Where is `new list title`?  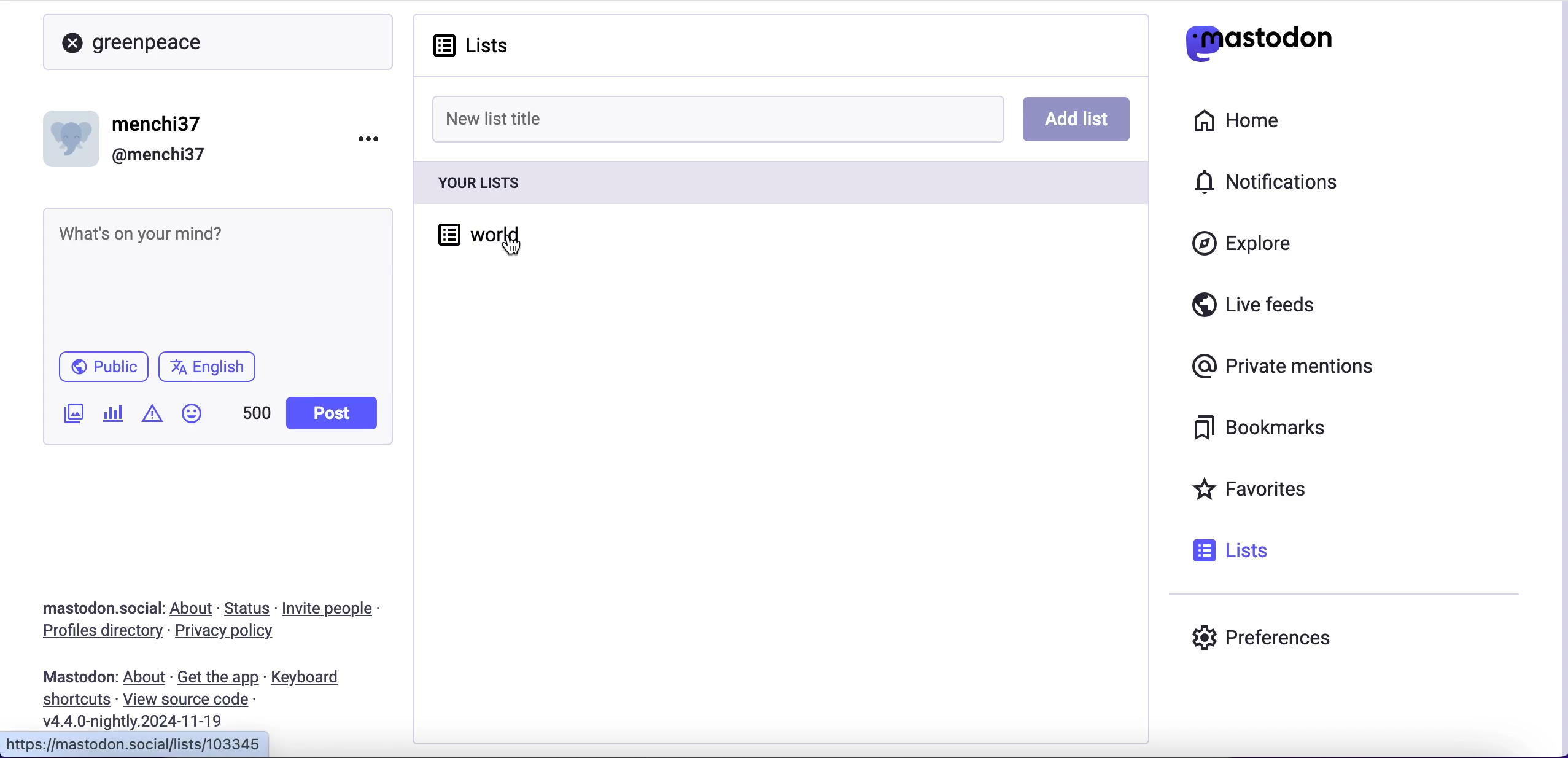
new list title is located at coordinates (718, 118).